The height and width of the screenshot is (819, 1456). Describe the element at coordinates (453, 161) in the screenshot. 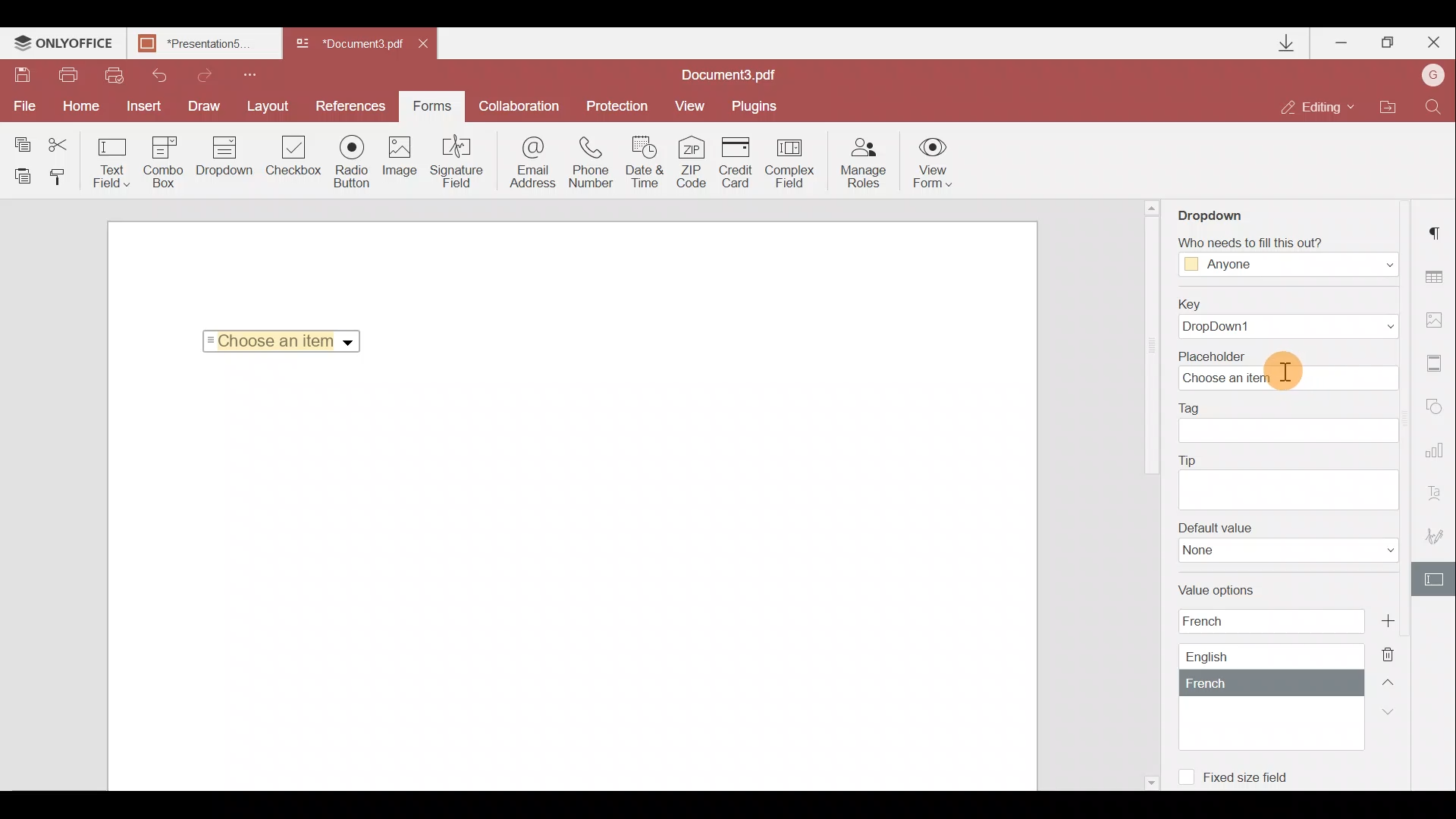

I see `Signature field` at that location.